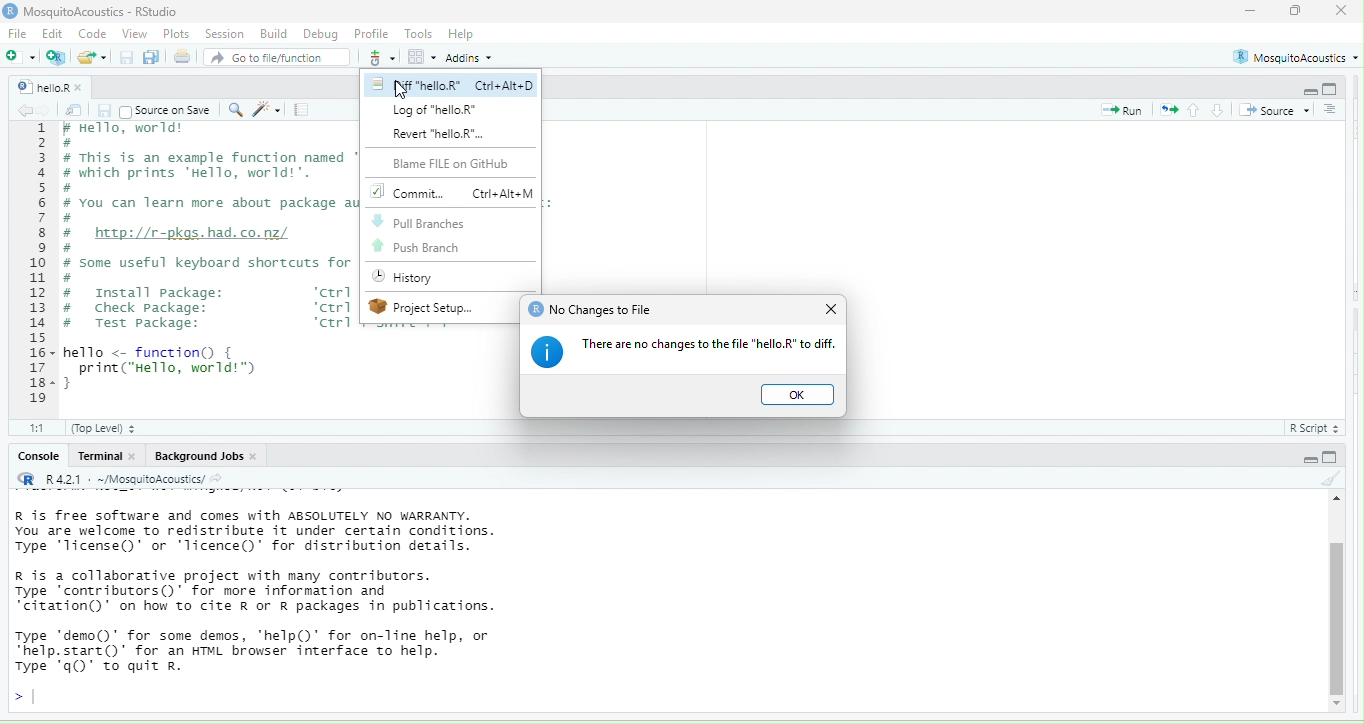 The width and height of the screenshot is (1364, 724). I want to click on close, so click(135, 456).